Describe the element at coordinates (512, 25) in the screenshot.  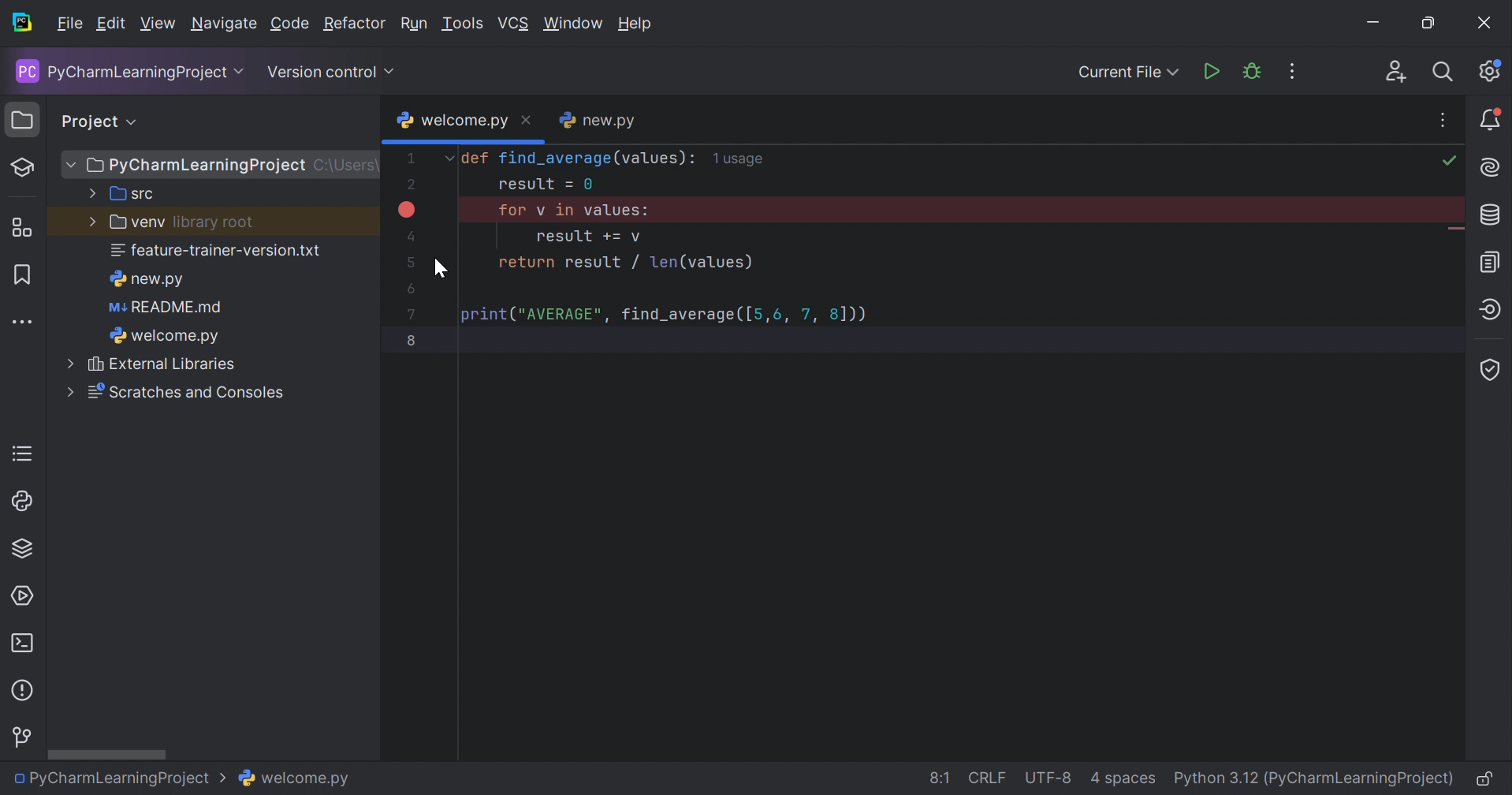
I see `VCS` at that location.